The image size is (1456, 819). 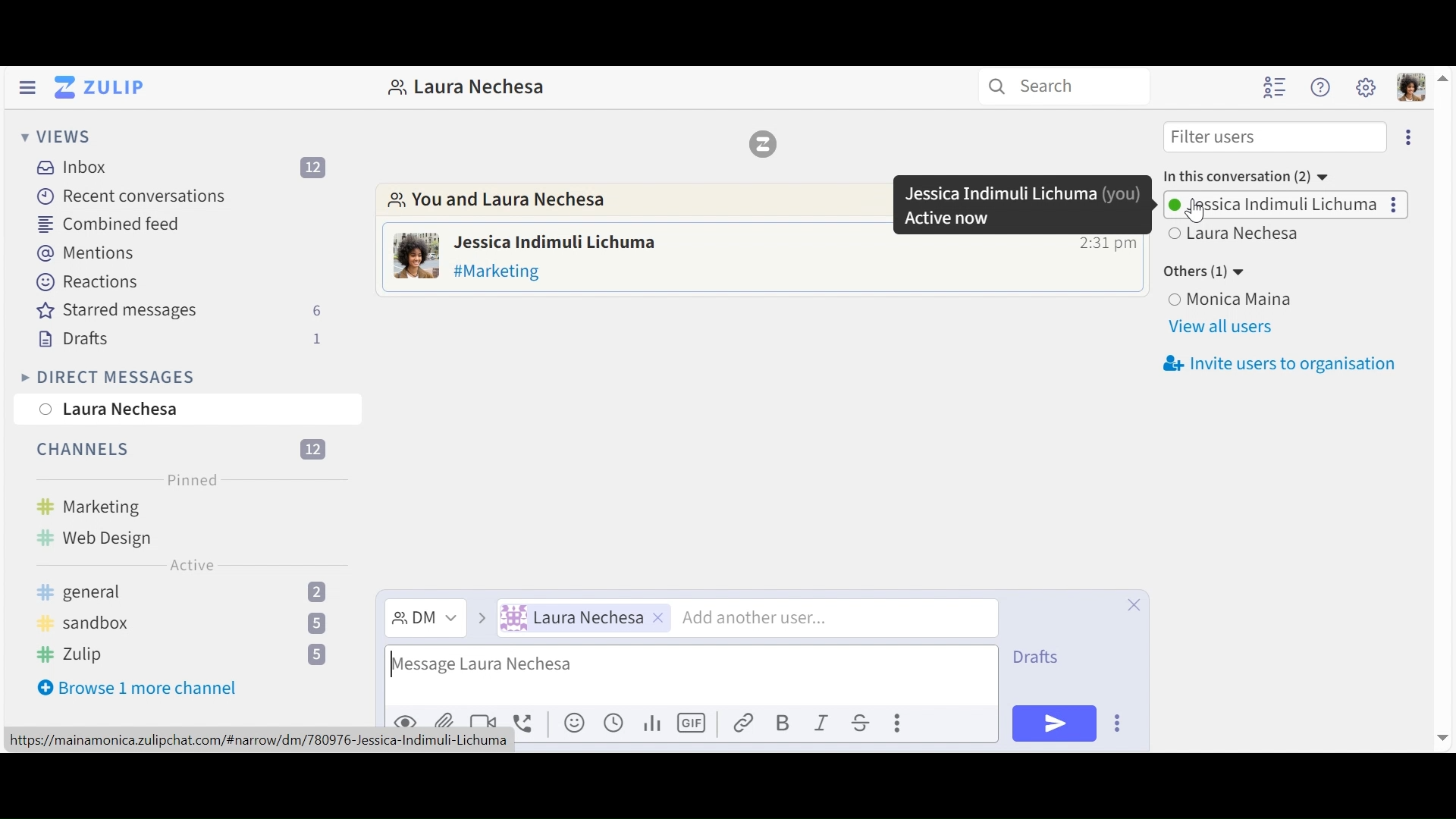 I want to click on Reaction, so click(x=87, y=281).